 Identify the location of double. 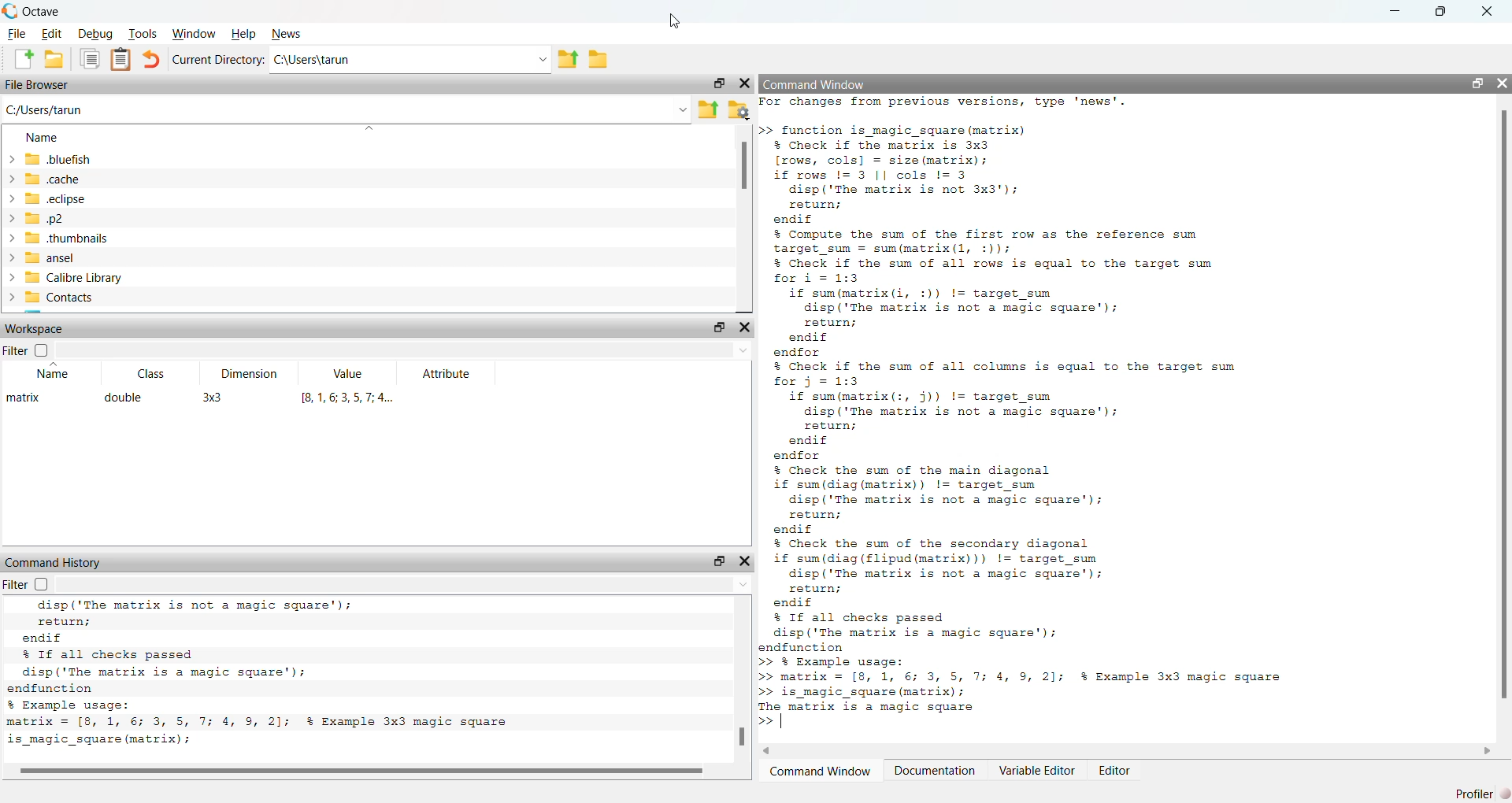
(124, 398).